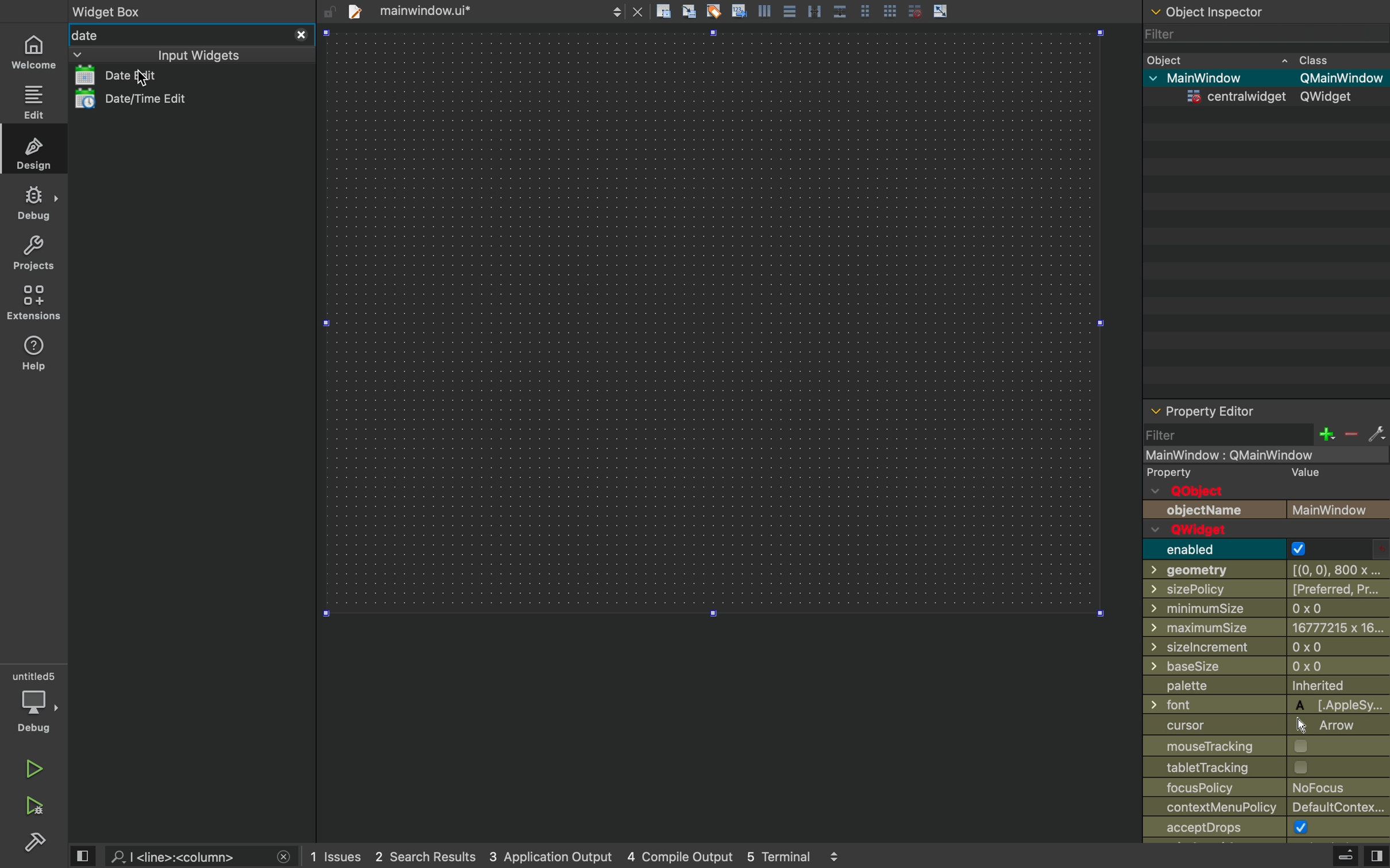  What do you see at coordinates (1252, 59) in the screenshot?
I see `object` at bounding box center [1252, 59].